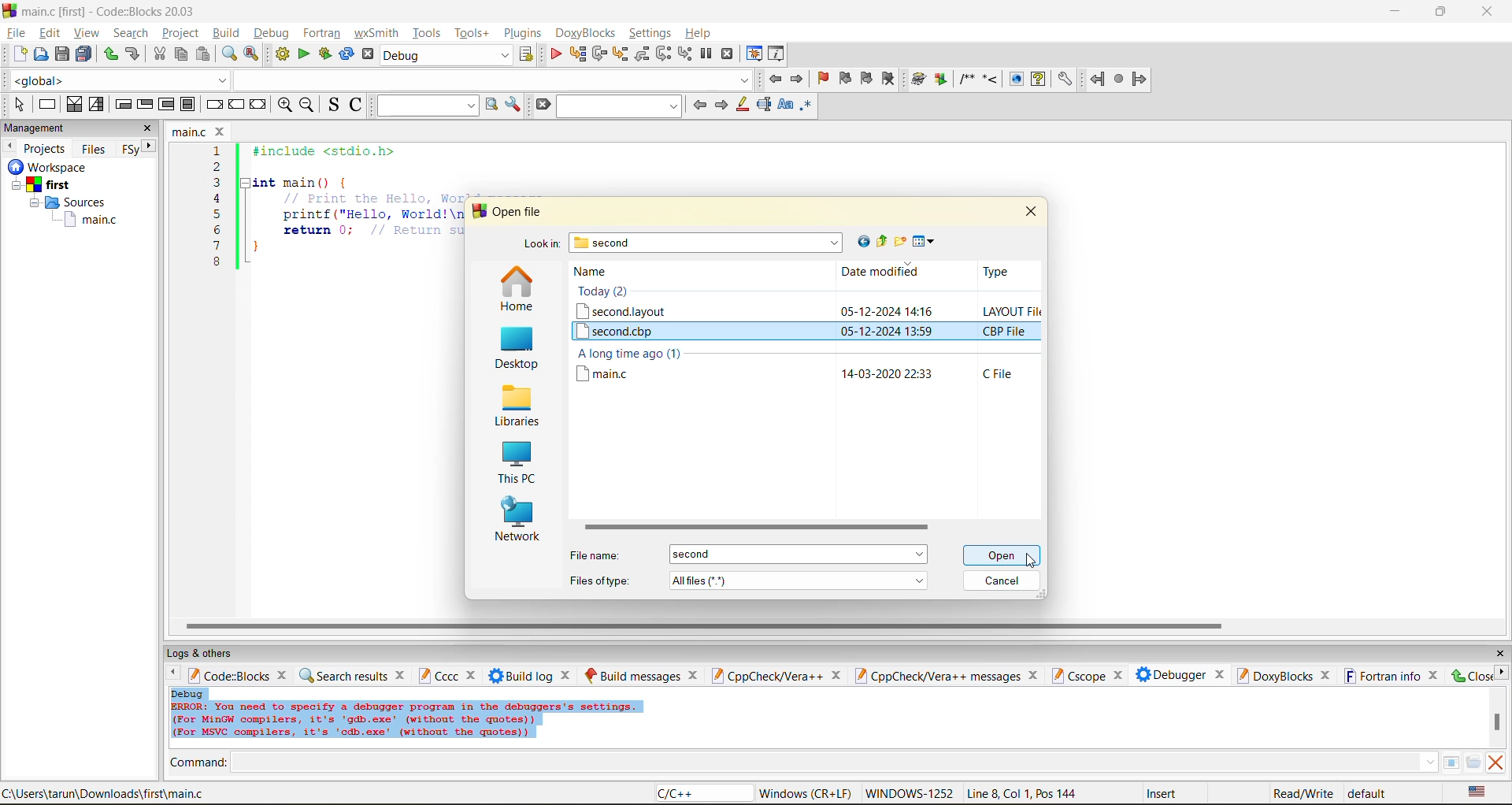 The image size is (1512, 805). Describe the element at coordinates (515, 465) in the screenshot. I see `this pc` at that location.